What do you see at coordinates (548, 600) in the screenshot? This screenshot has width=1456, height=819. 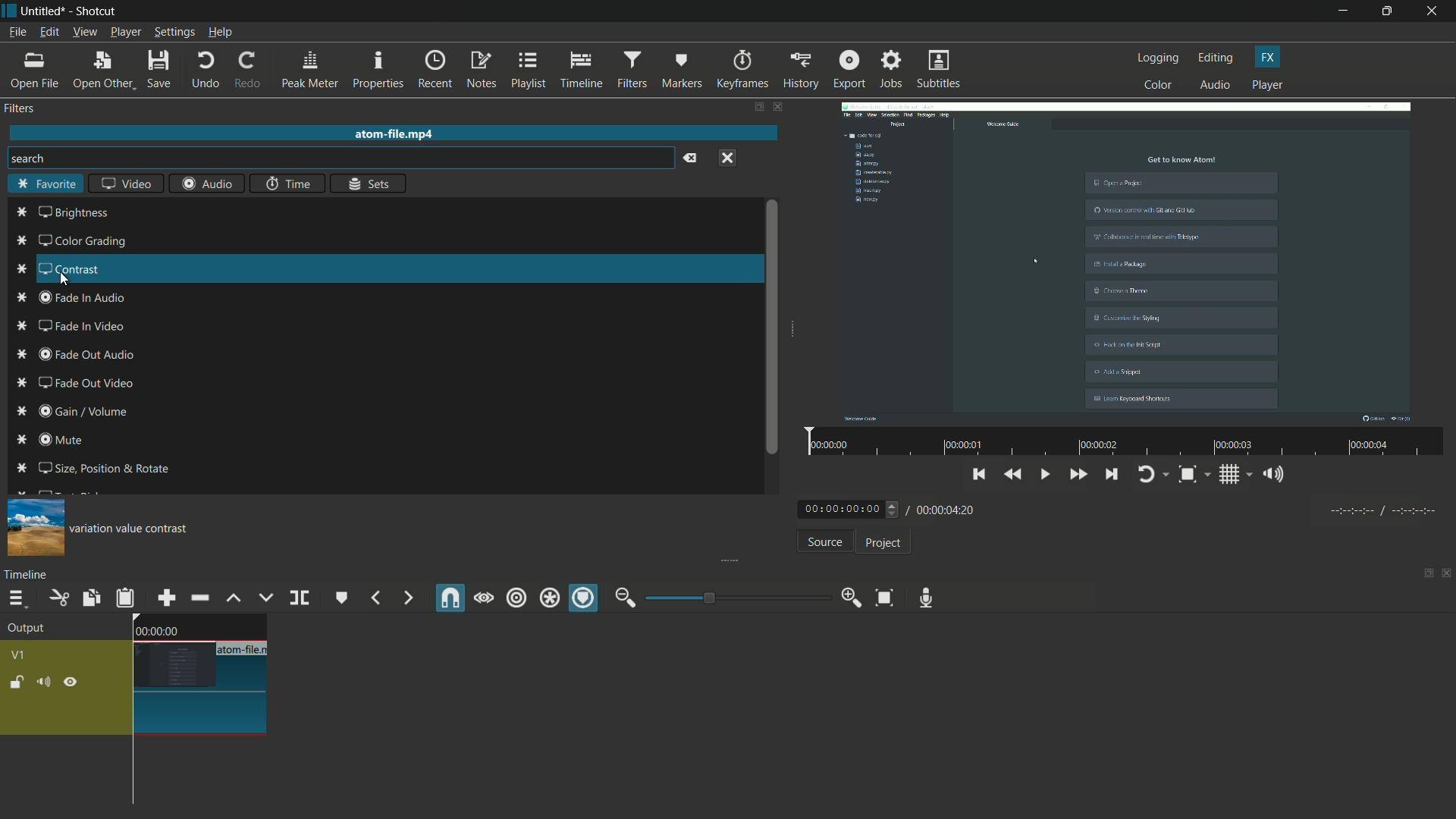 I see `ripple all tracks` at bounding box center [548, 600].